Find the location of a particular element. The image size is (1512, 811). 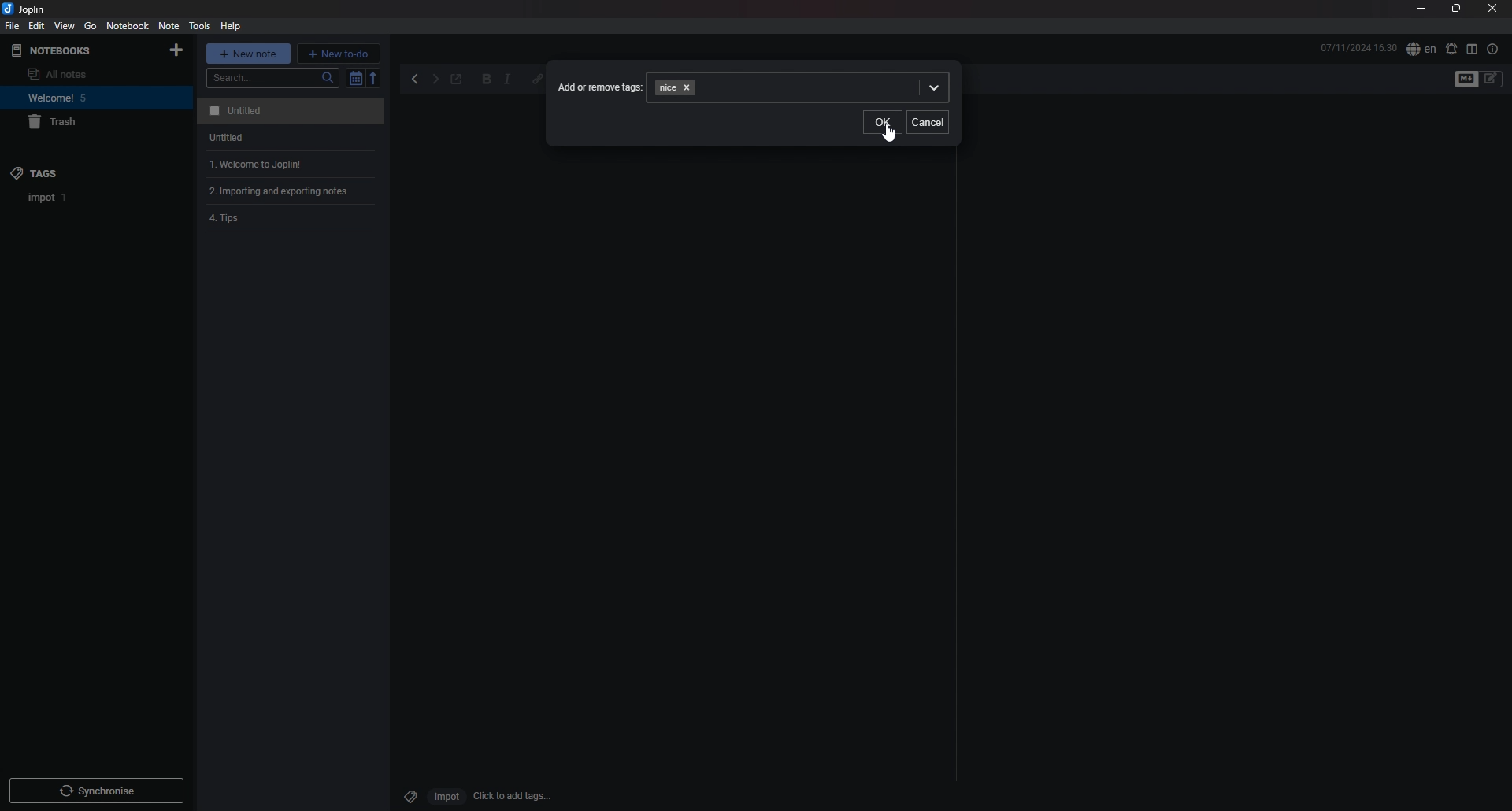

impot is located at coordinates (444, 796).